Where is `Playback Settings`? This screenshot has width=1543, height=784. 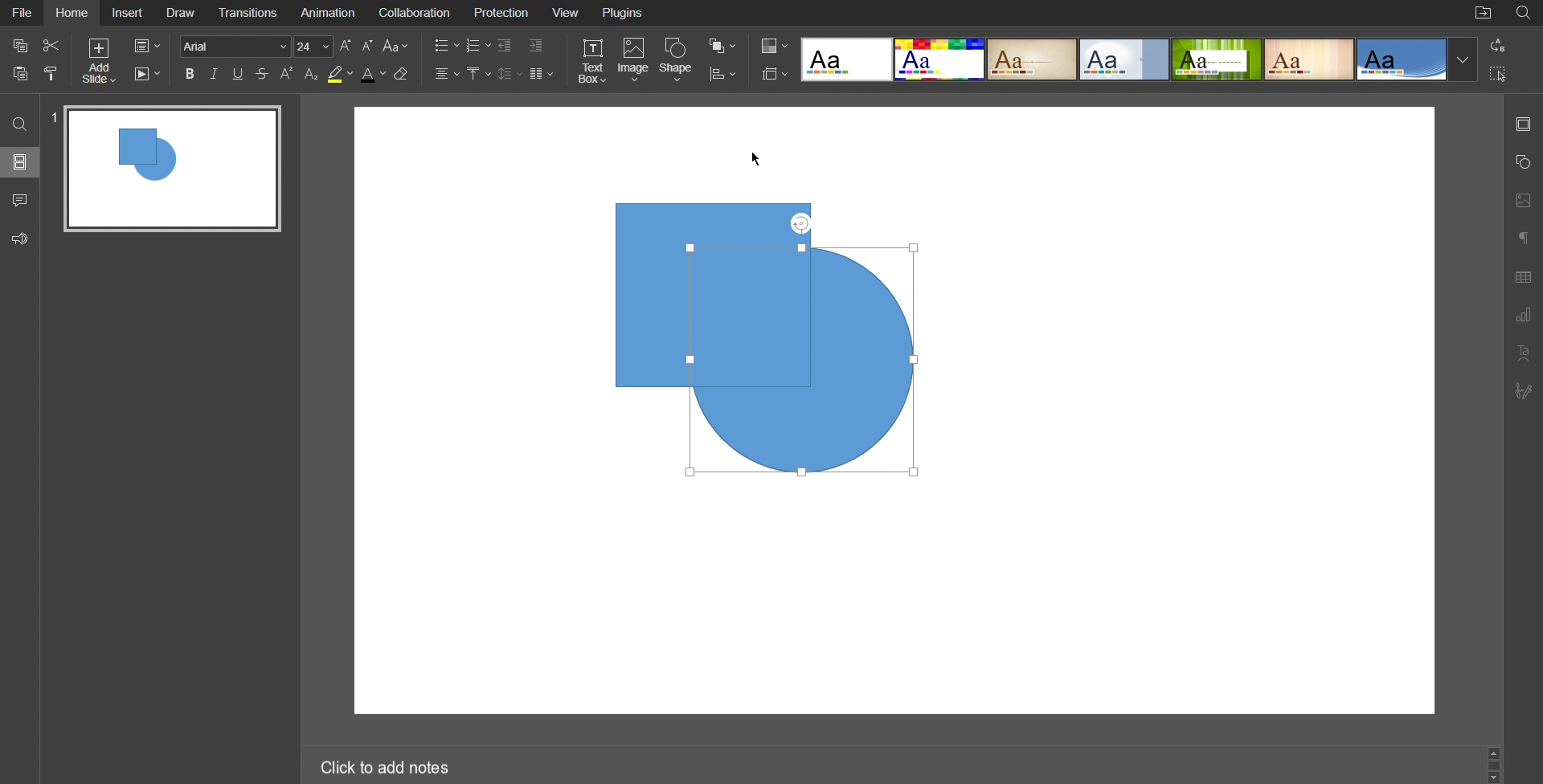
Playback Settings is located at coordinates (145, 74).